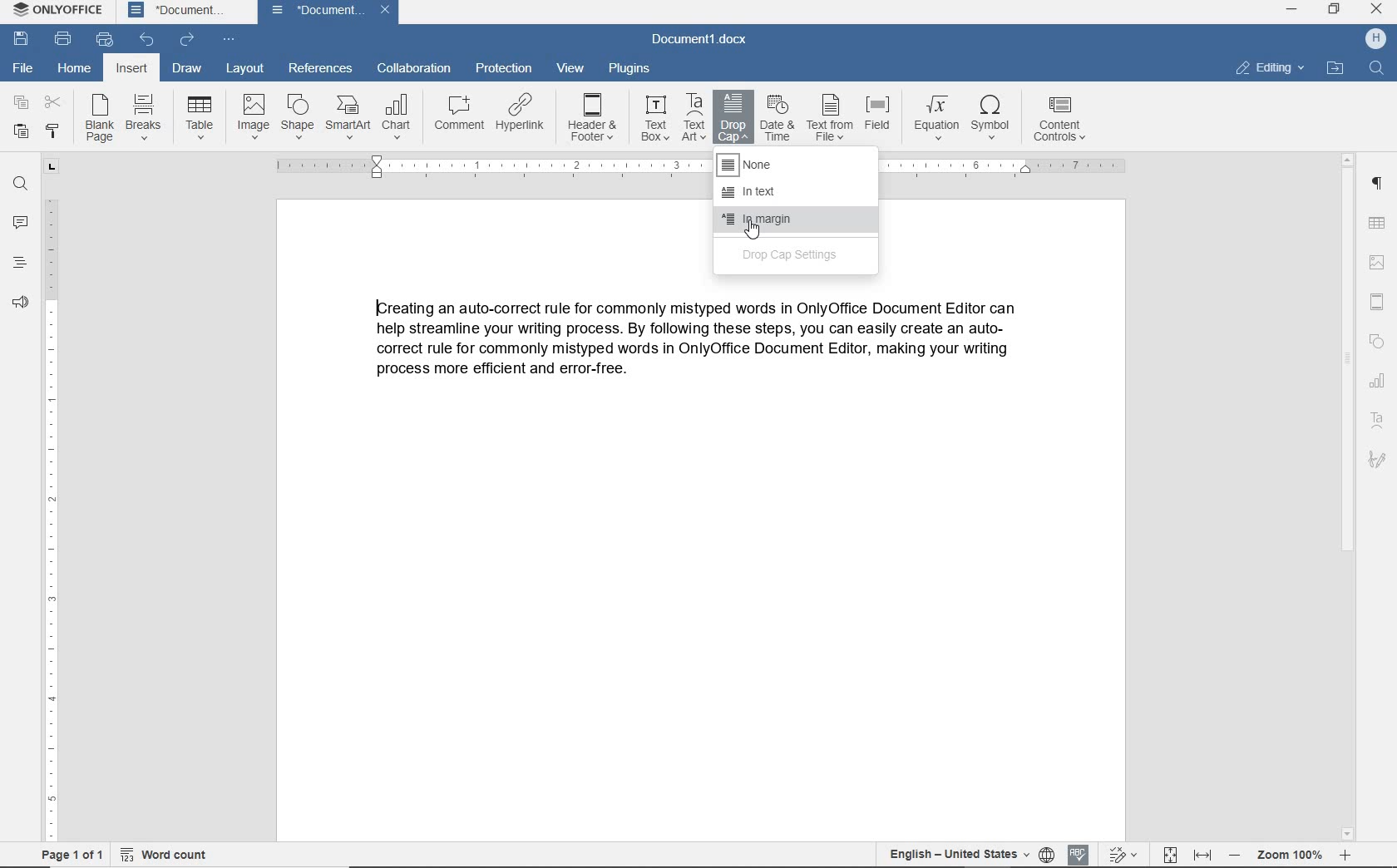 This screenshot has width=1397, height=868. I want to click on table, so click(200, 116).